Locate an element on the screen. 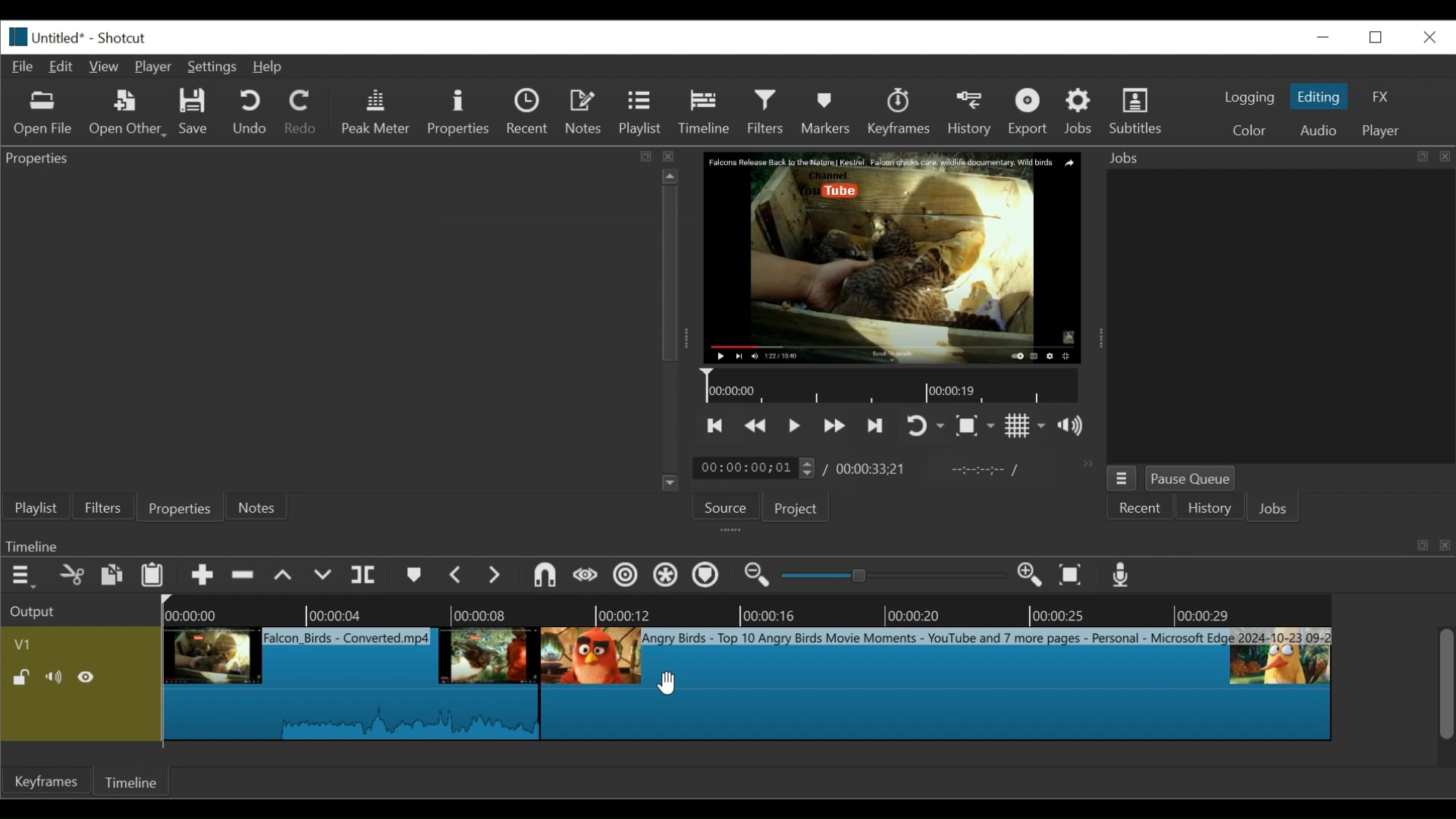 The width and height of the screenshot is (1456, 819). Editing is located at coordinates (1320, 96).